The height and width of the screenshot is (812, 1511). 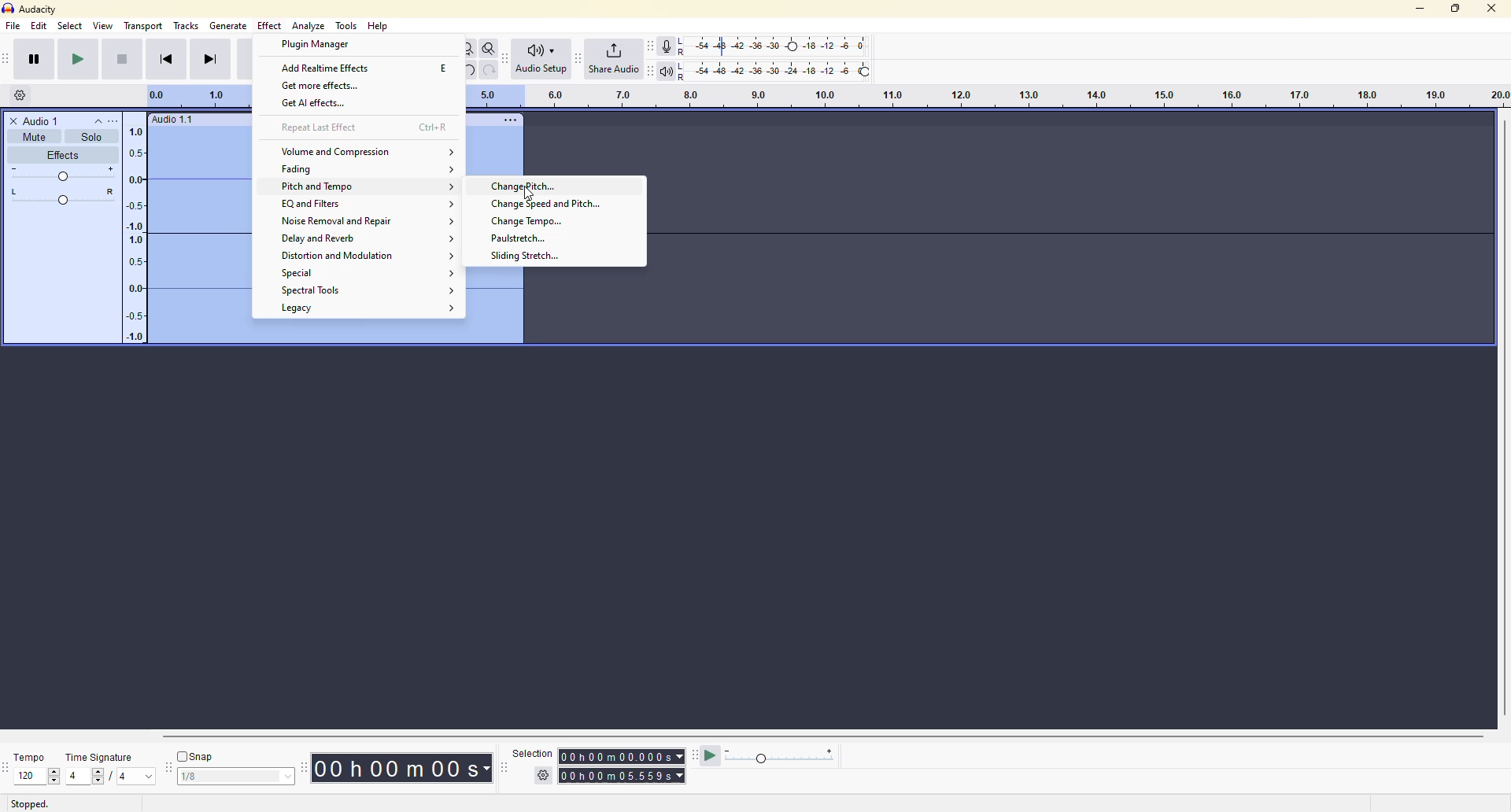 What do you see at coordinates (489, 70) in the screenshot?
I see `redo` at bounding box center [489, 70].